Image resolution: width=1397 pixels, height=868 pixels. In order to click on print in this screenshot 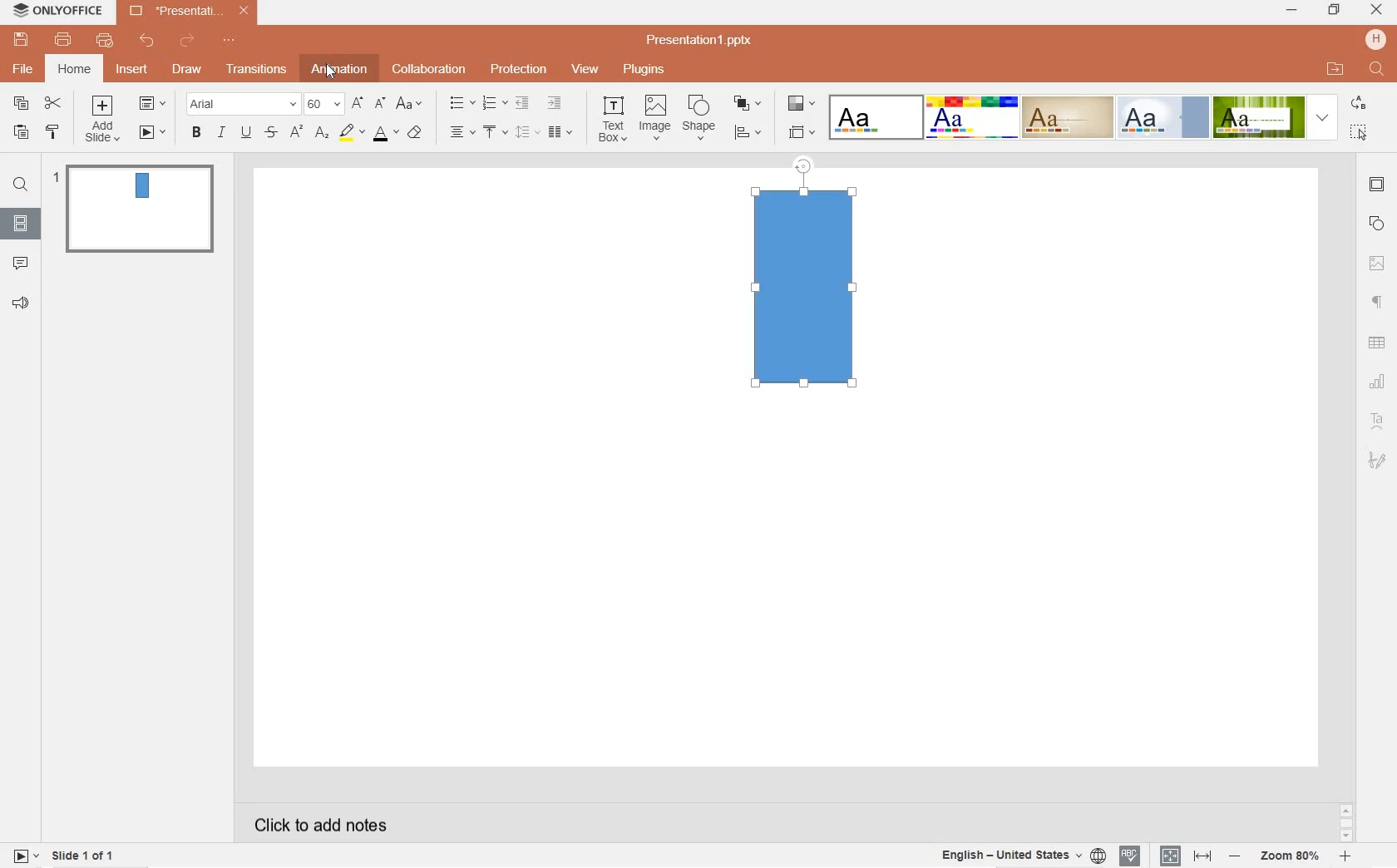, I will do `click(64, 40)`.